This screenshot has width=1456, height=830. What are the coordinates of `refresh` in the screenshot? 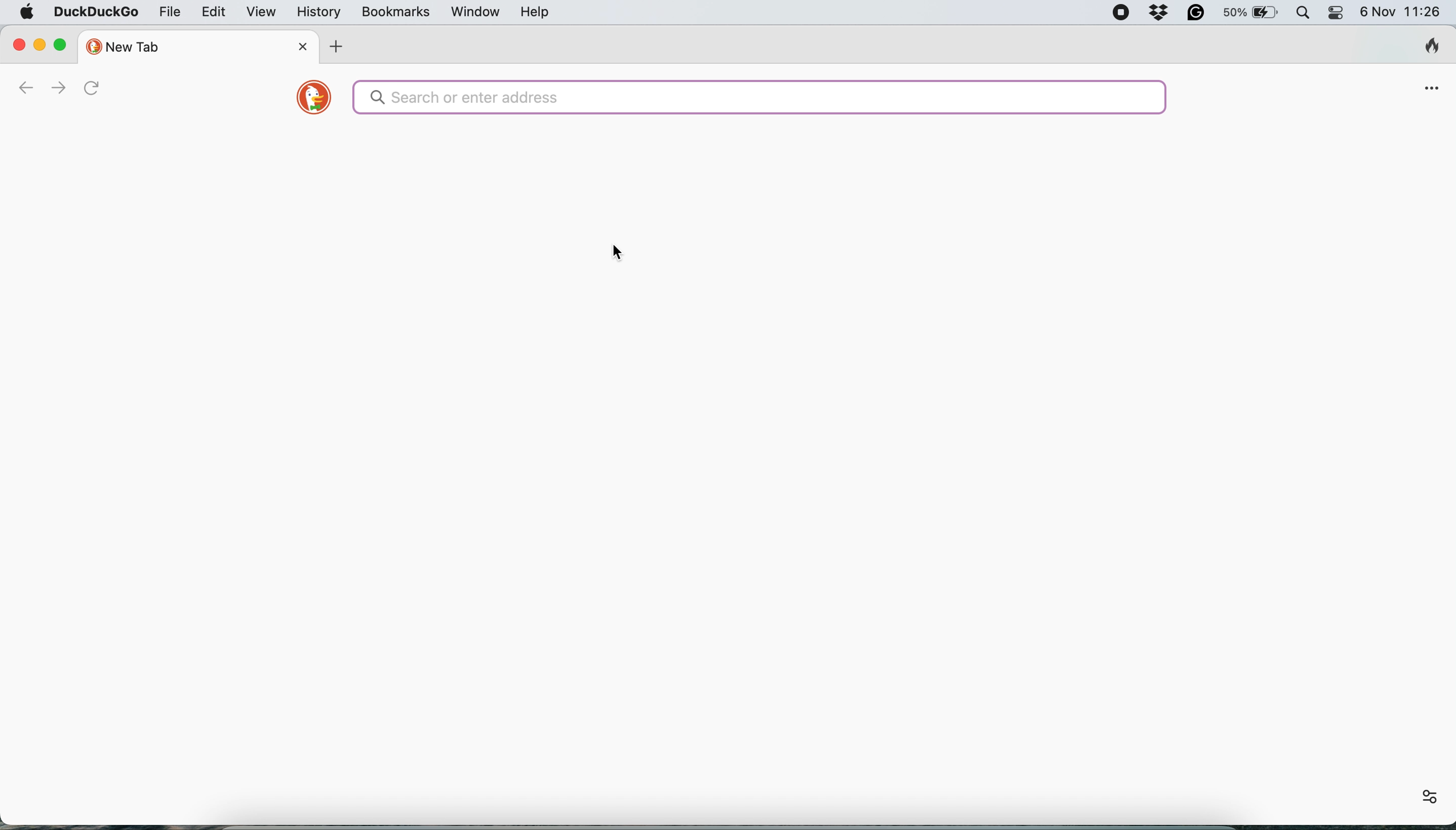 It's located at (94, 87).